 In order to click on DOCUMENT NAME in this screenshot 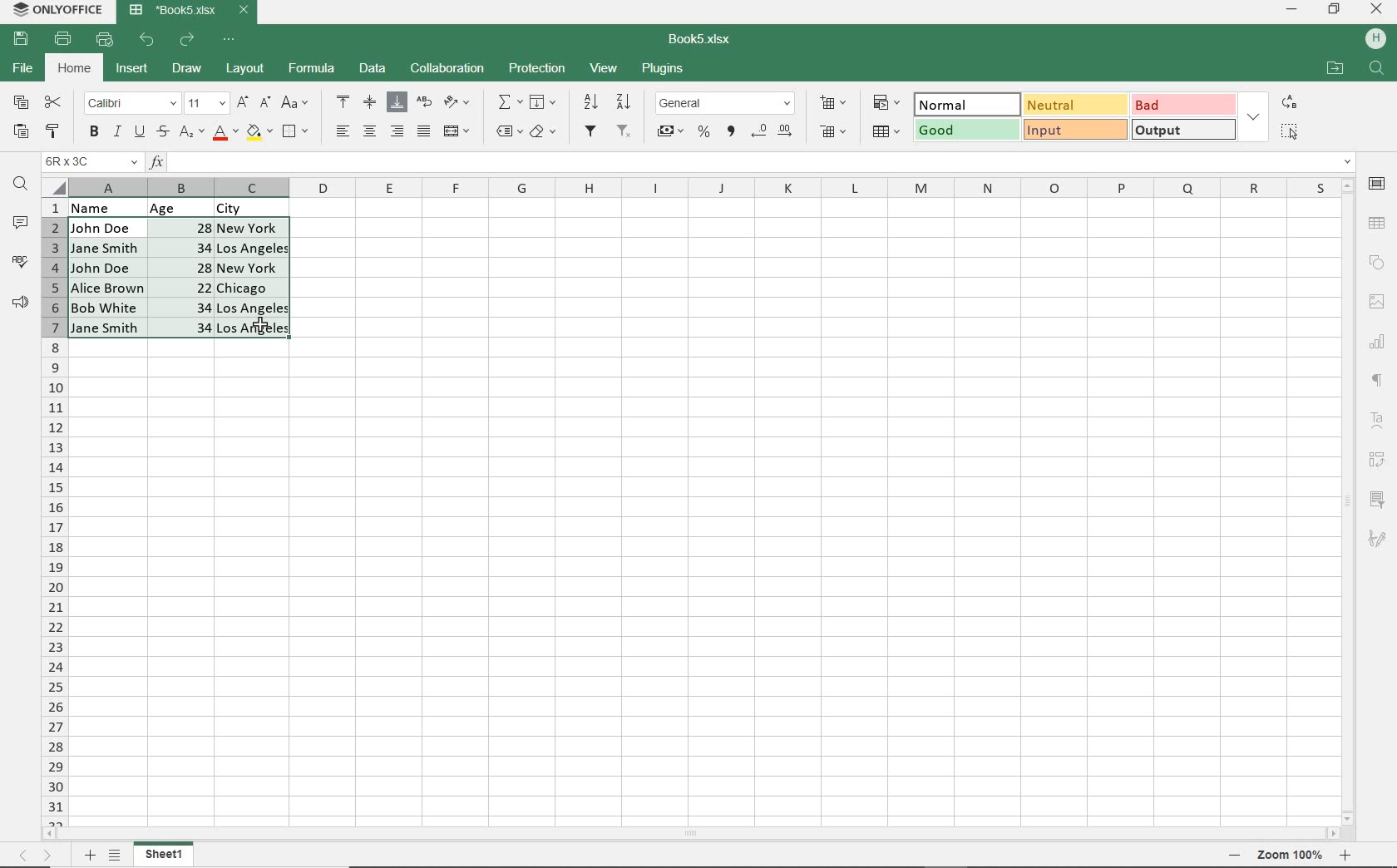, I will do `click(190, 11)`.